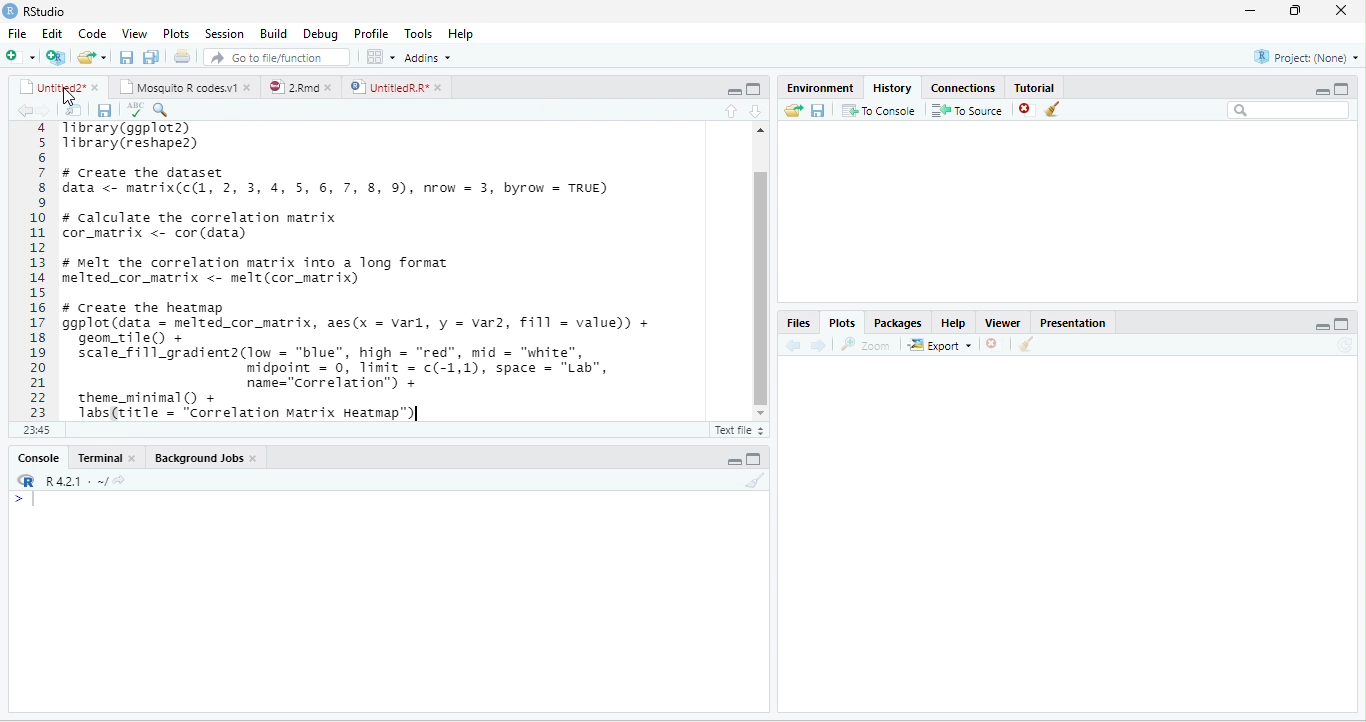 The height and width of the screenshot is (722, 1366). I want to click on presentation, so click(1077, 320).